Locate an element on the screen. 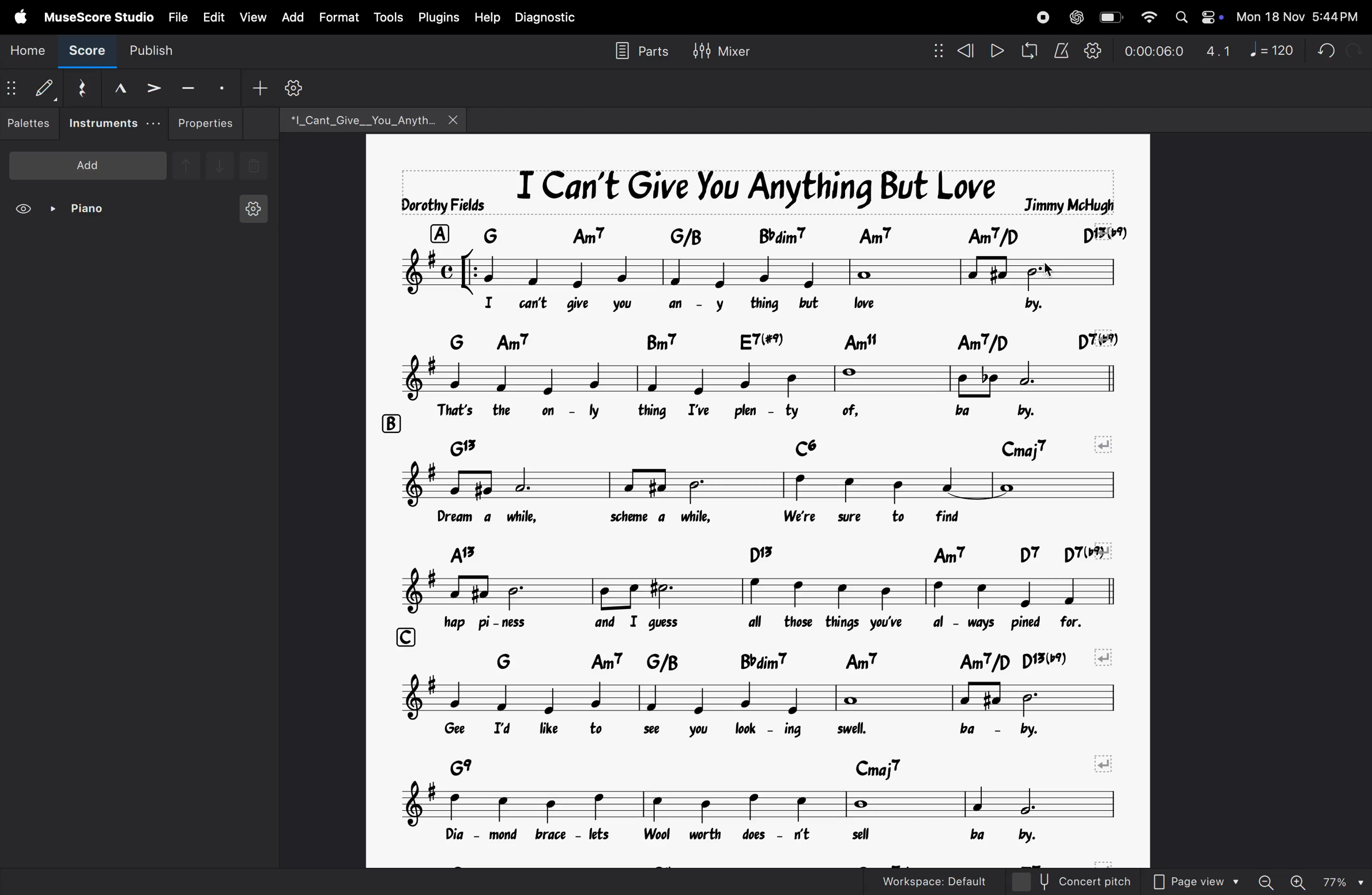 This screenshot has width=1372, height=895. notes is located at coordinates (755, 804).